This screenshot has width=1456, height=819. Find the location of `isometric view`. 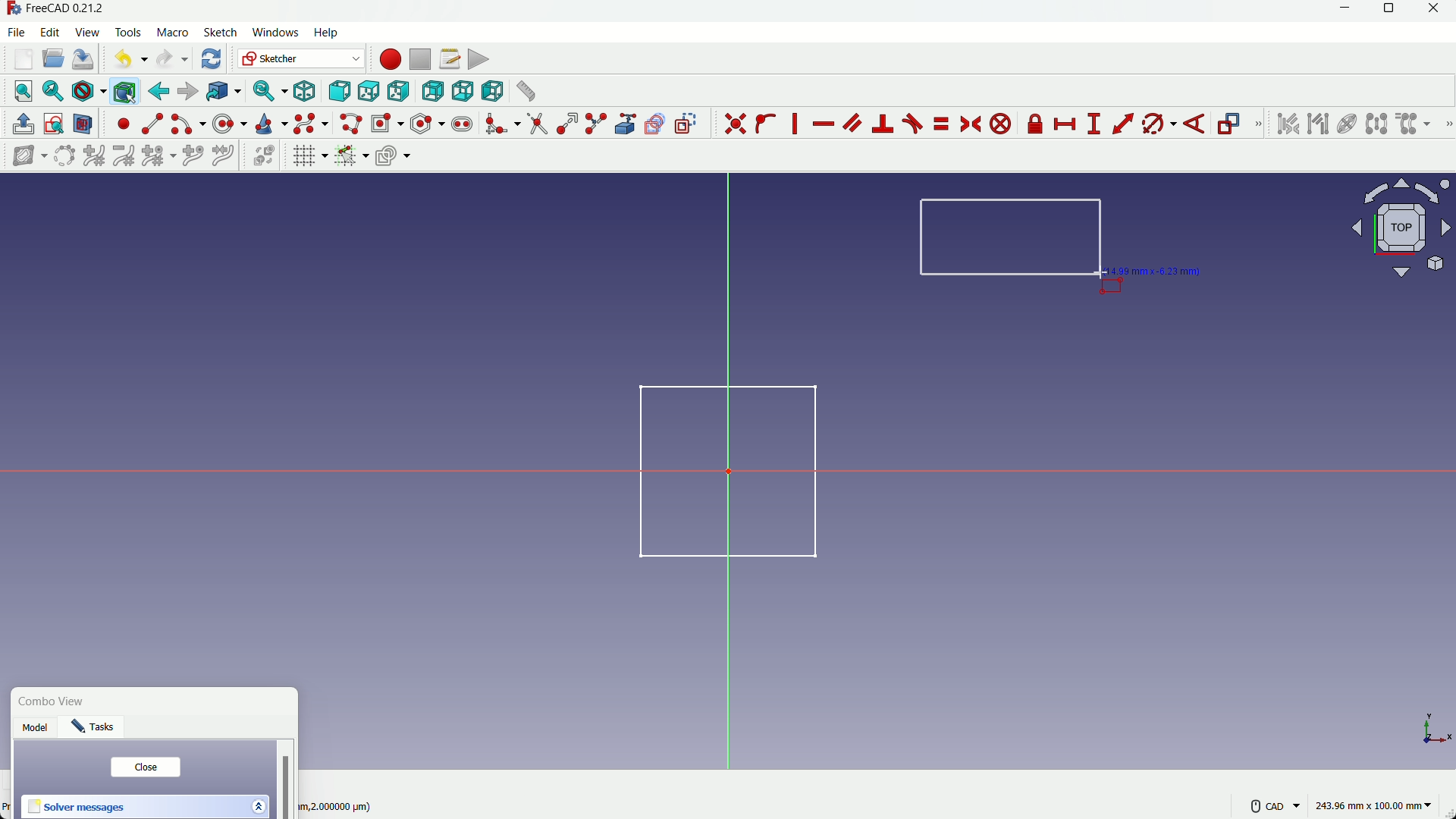

isometric view is located at coordinates (305, 92).